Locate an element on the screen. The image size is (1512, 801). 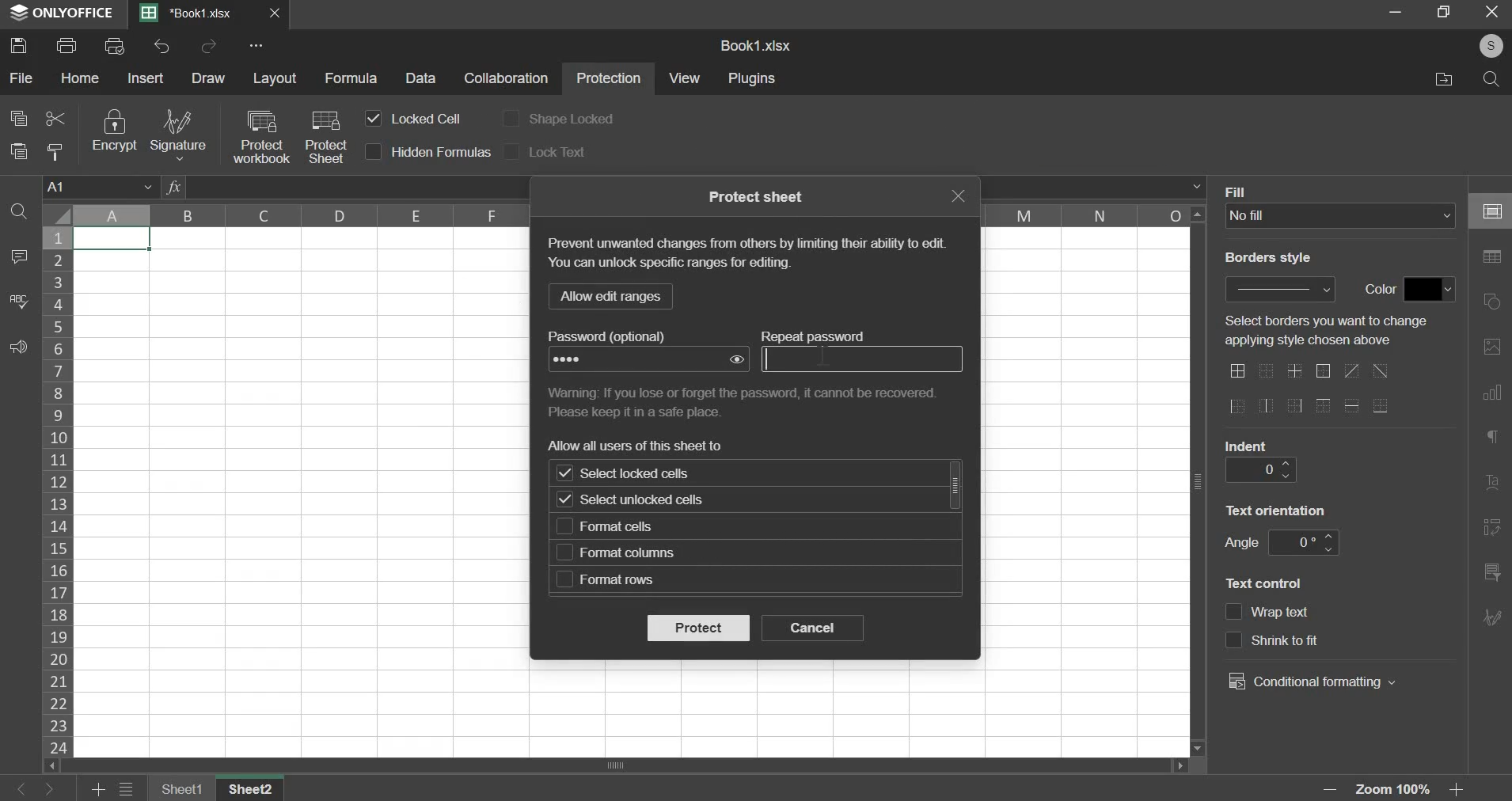
shape locked is located at coordinates (572, 120).